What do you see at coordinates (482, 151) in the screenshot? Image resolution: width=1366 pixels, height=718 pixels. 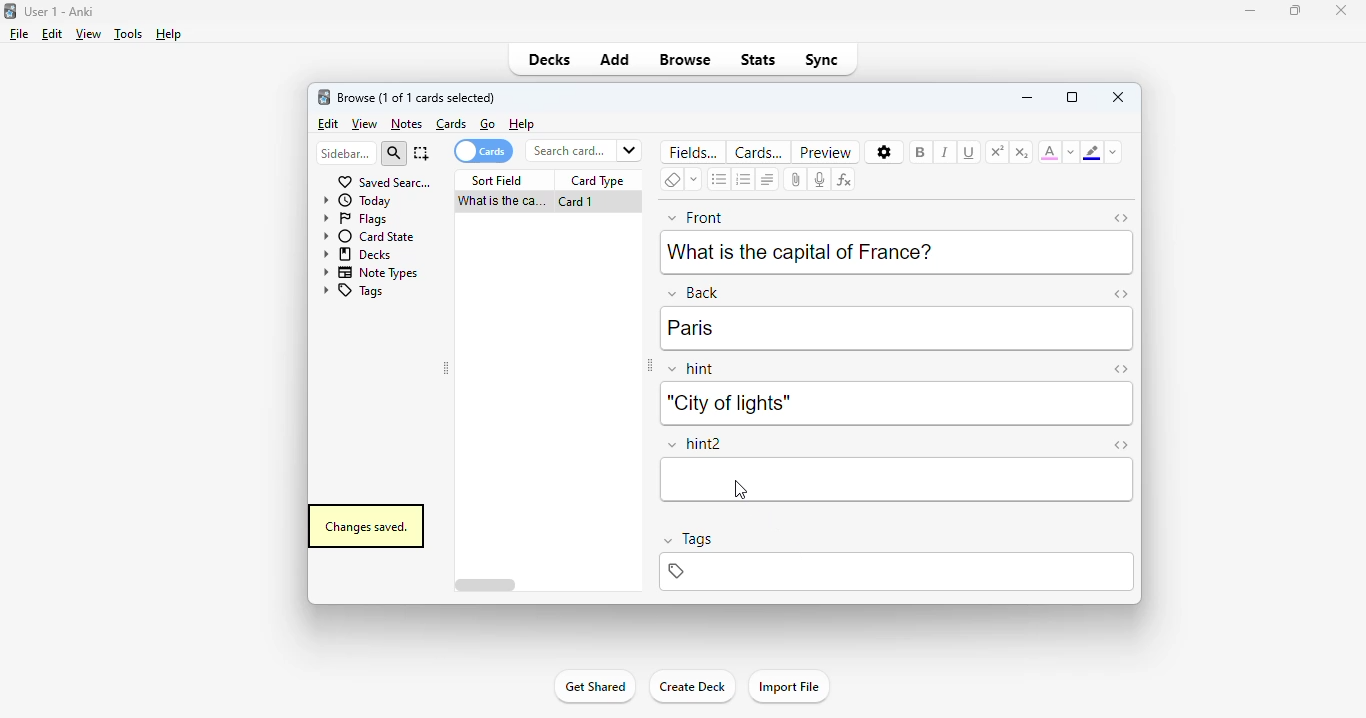 I see `cards` at bounding box center [482, 151].